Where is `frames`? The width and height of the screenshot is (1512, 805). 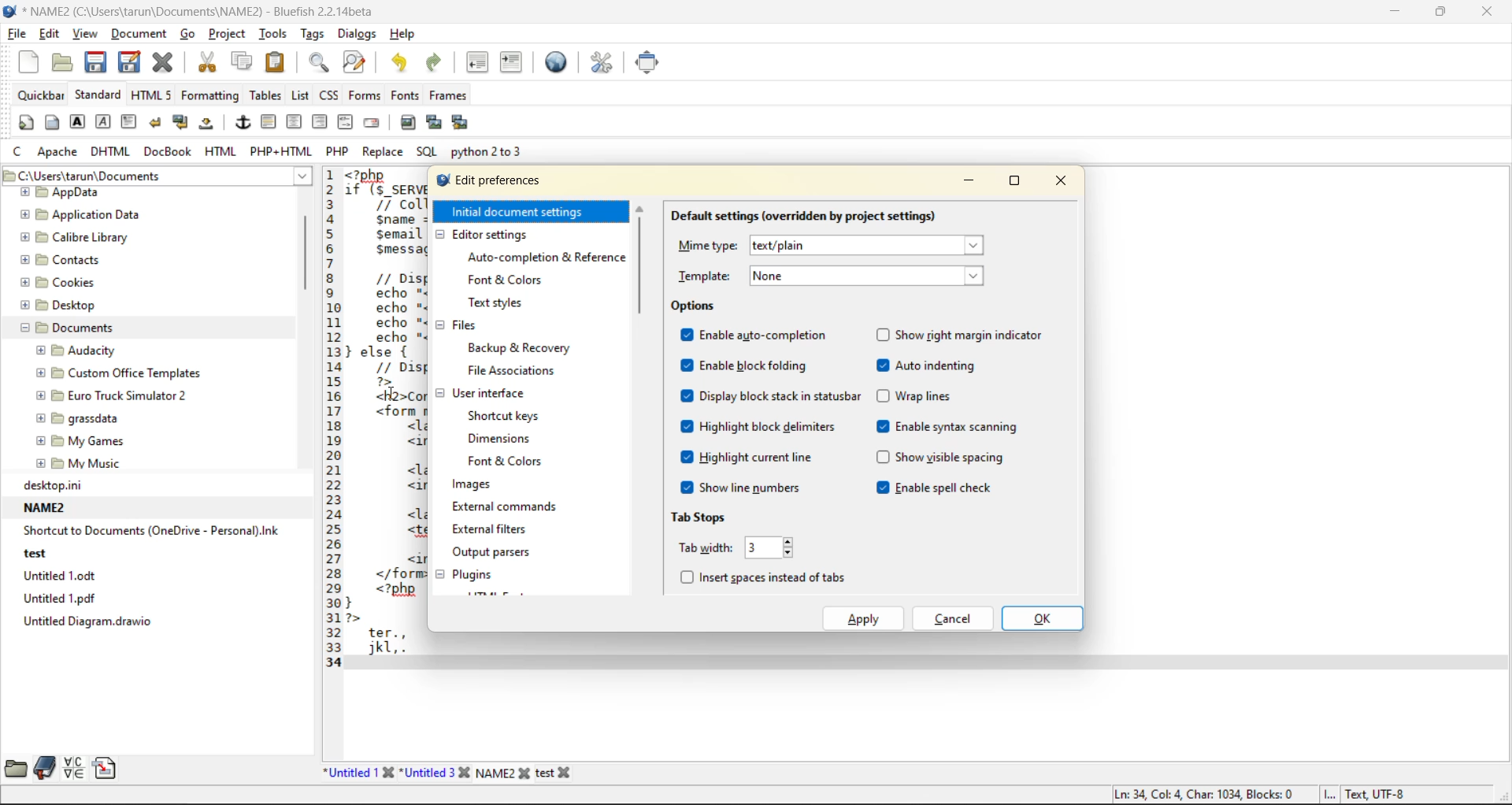 frames is located at coordinates (451, 95).